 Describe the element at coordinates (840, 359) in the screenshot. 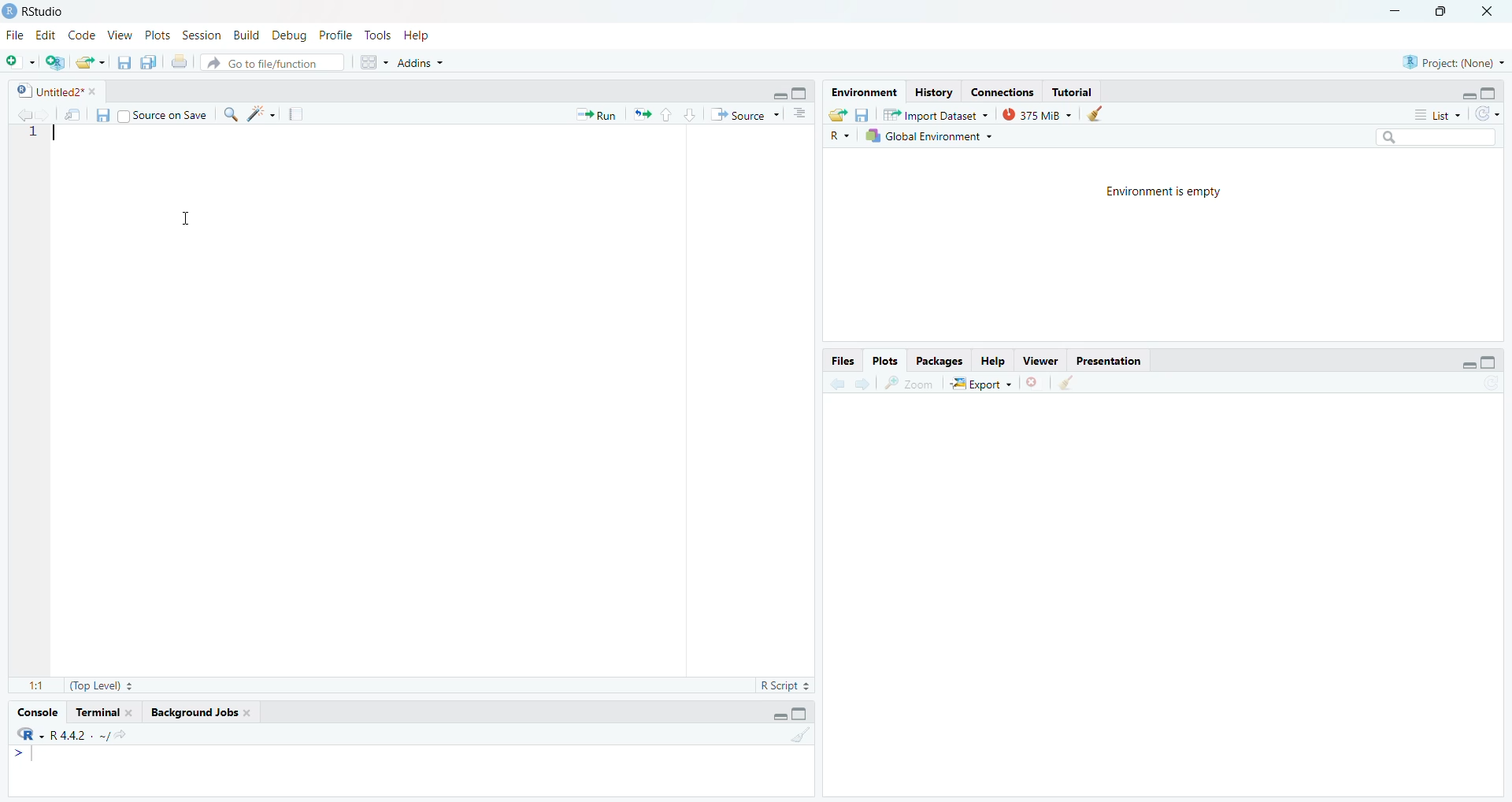

I see `Files` at that location.